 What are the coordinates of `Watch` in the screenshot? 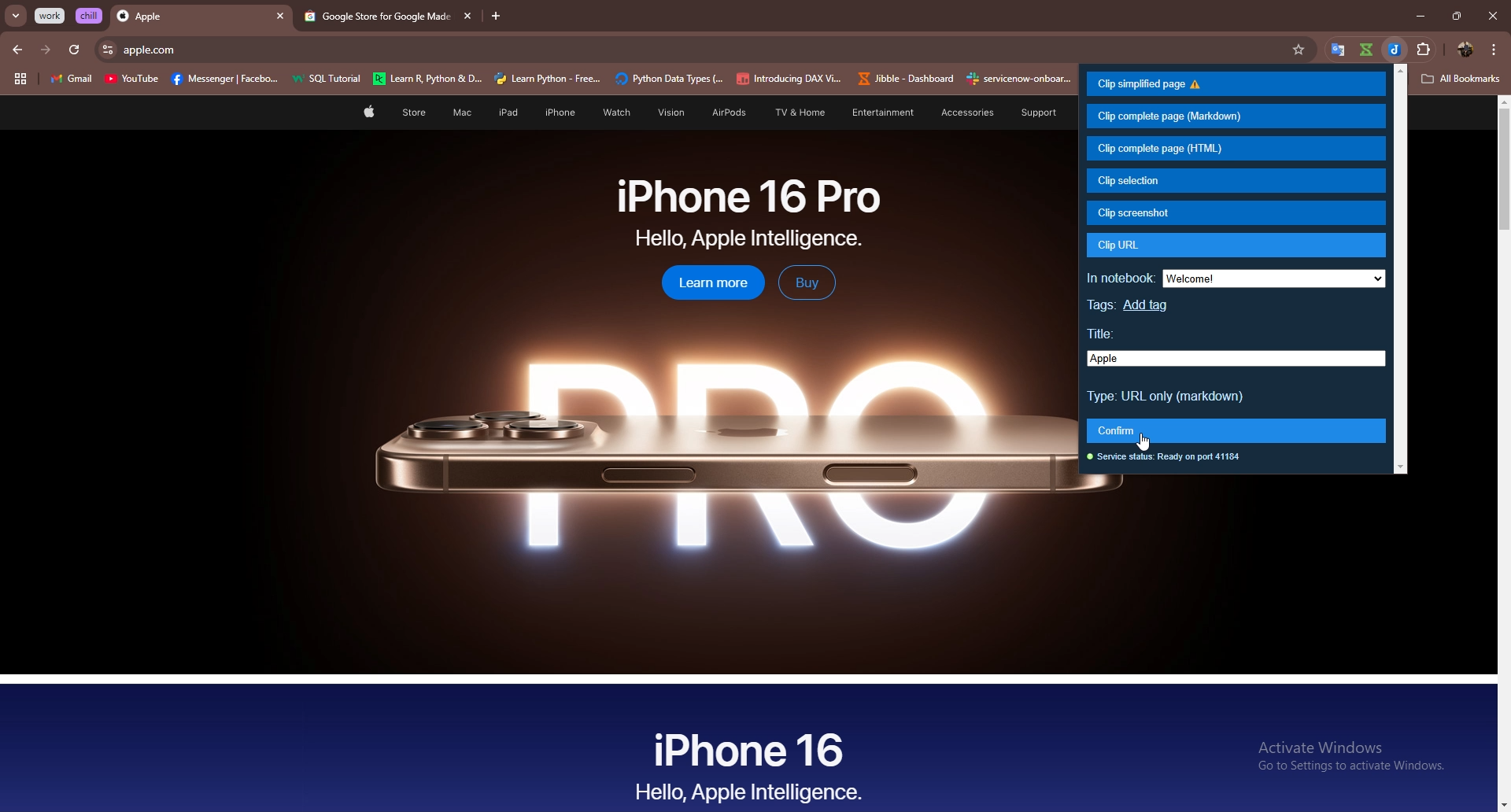 It's located at (614, 113).